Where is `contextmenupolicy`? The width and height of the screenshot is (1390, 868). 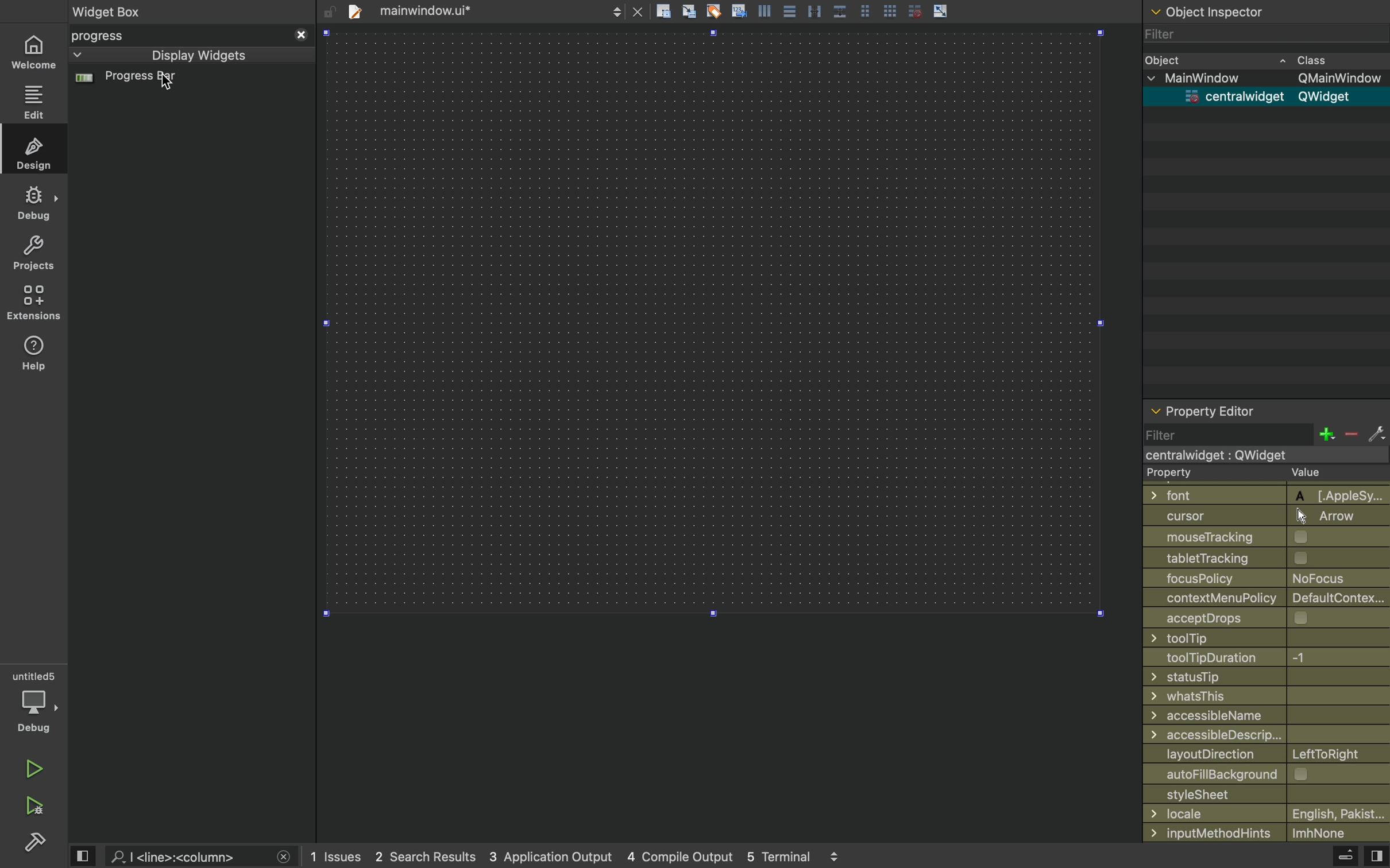
contextmenupolicy is located at coordinates (1268, 597).